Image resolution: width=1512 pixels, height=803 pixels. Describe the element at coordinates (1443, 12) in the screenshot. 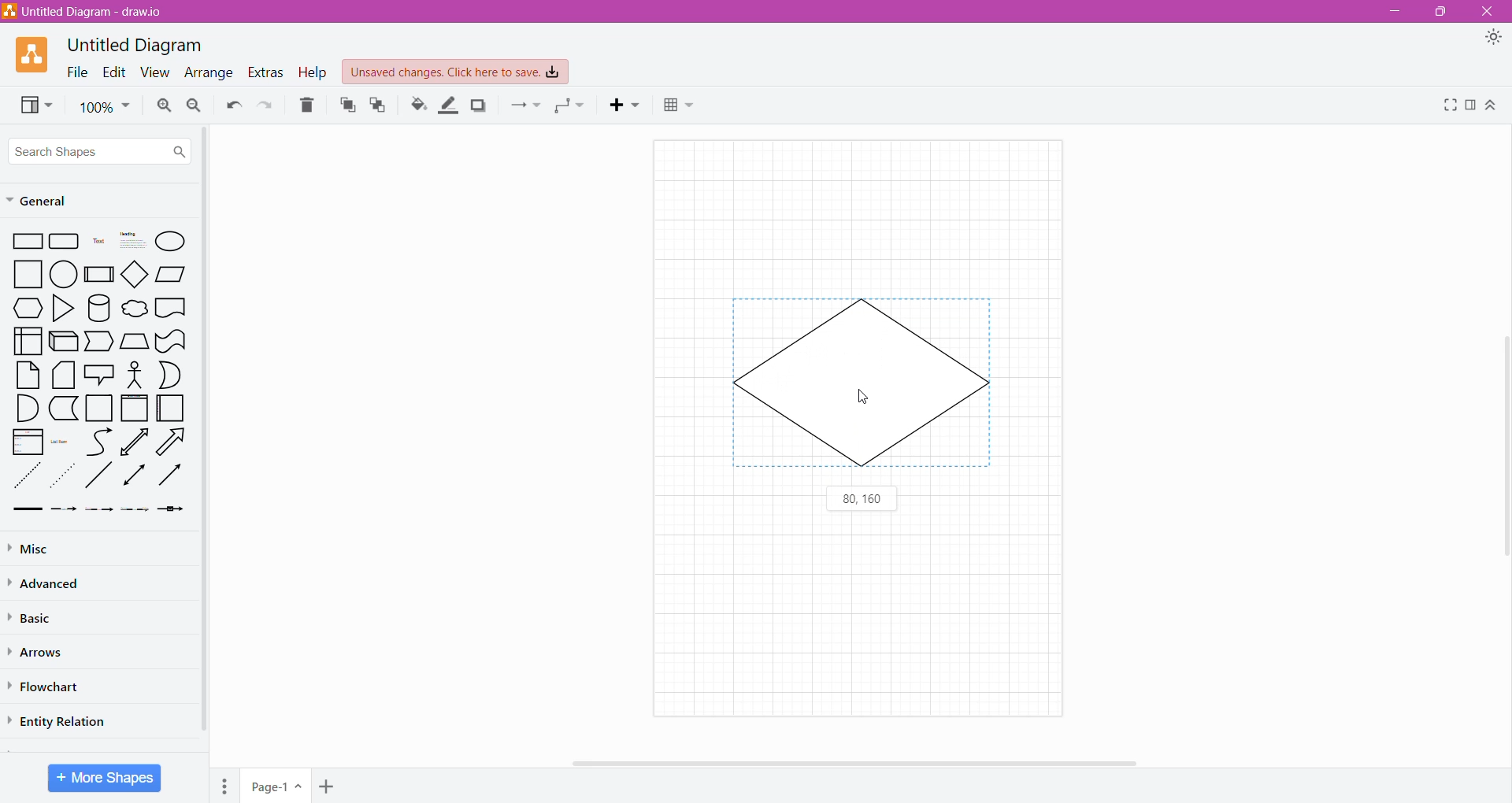

I see `Restore Down` at that location.